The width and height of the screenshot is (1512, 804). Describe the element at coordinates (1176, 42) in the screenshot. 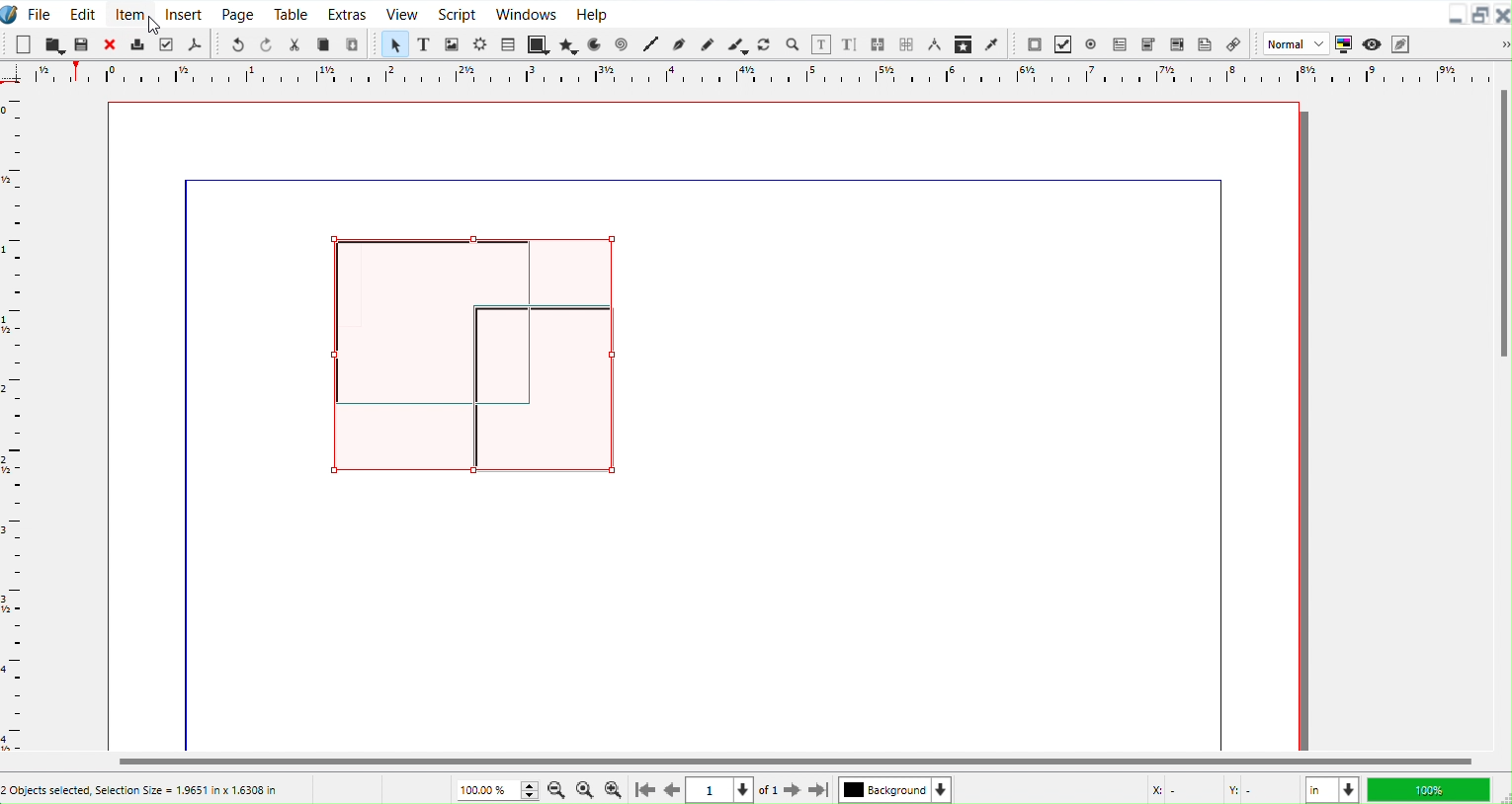

I see `PDF List Box` at that location.